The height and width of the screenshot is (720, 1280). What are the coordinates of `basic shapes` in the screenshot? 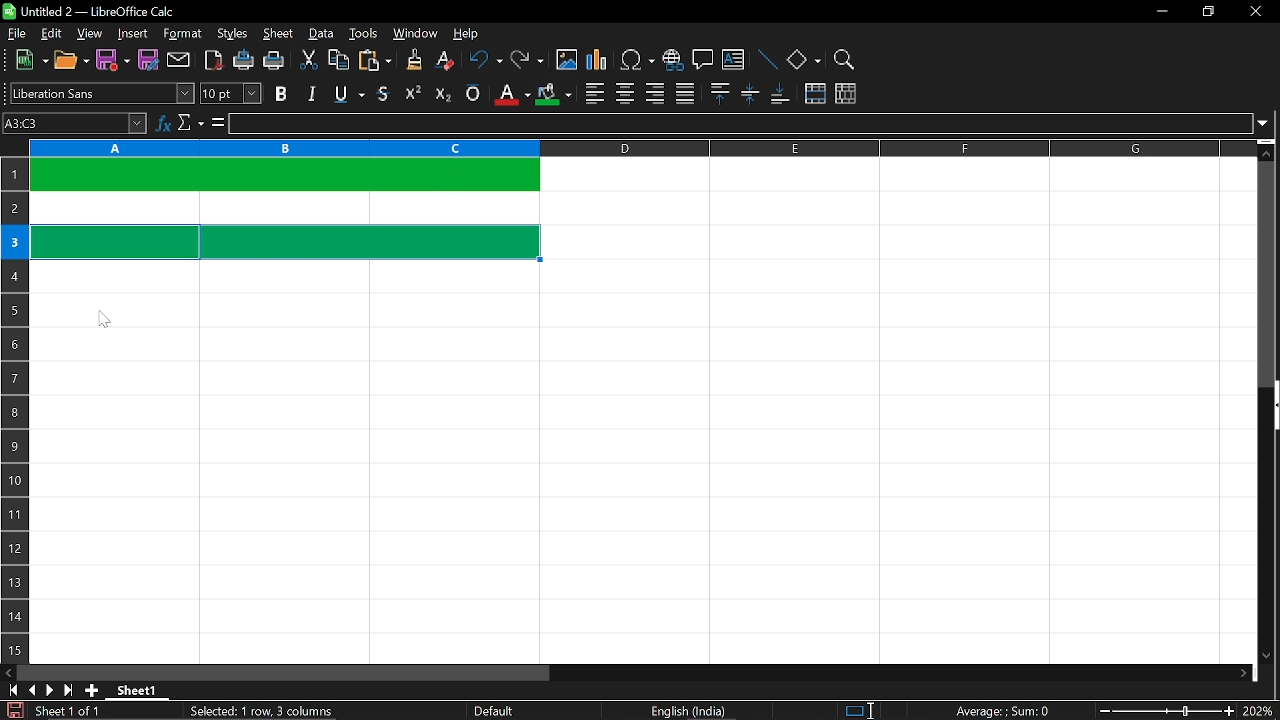 It's located at (804, 59).